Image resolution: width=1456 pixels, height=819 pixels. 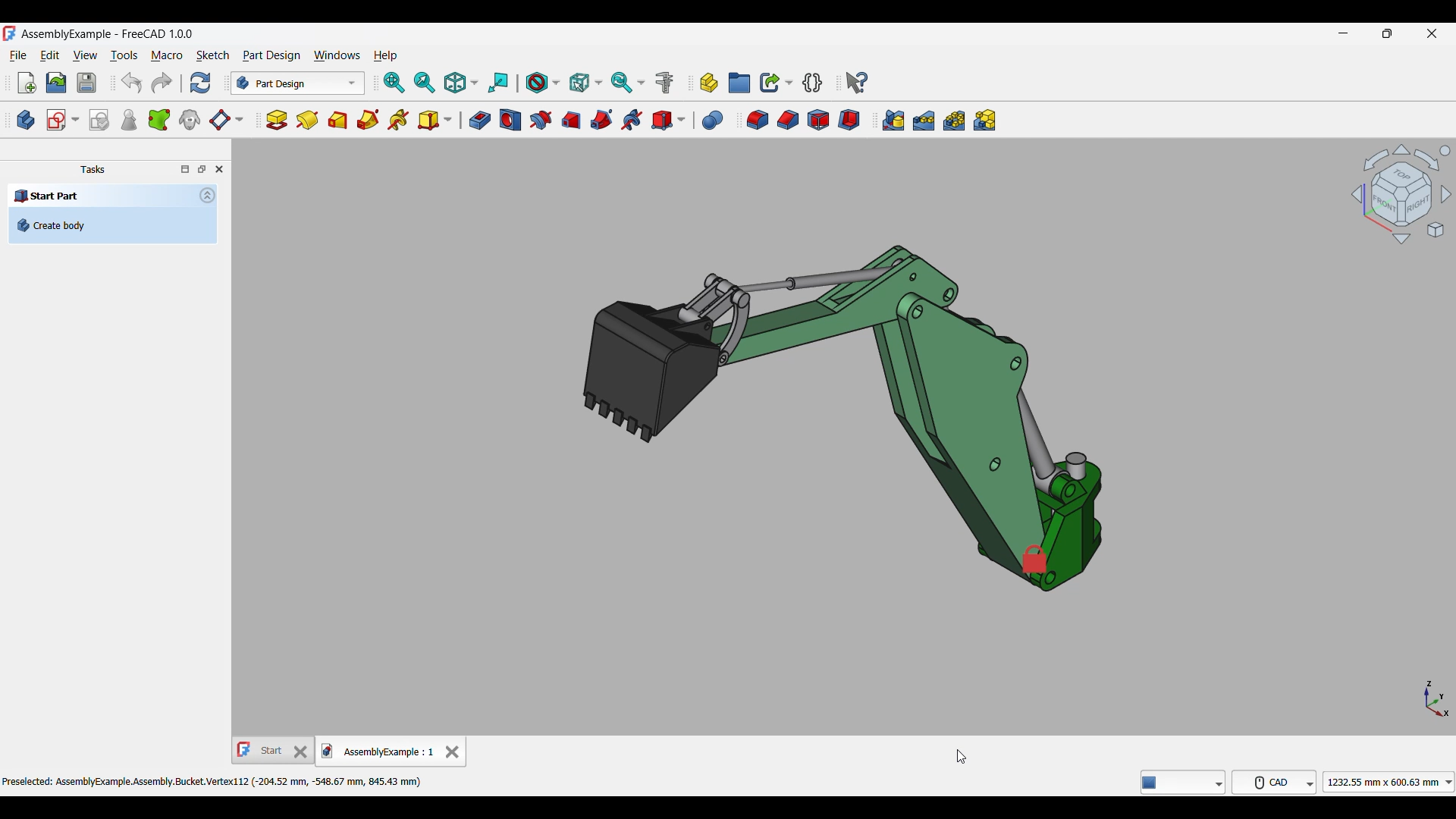 I want to click on Help menu, so click(x=386, y=56).